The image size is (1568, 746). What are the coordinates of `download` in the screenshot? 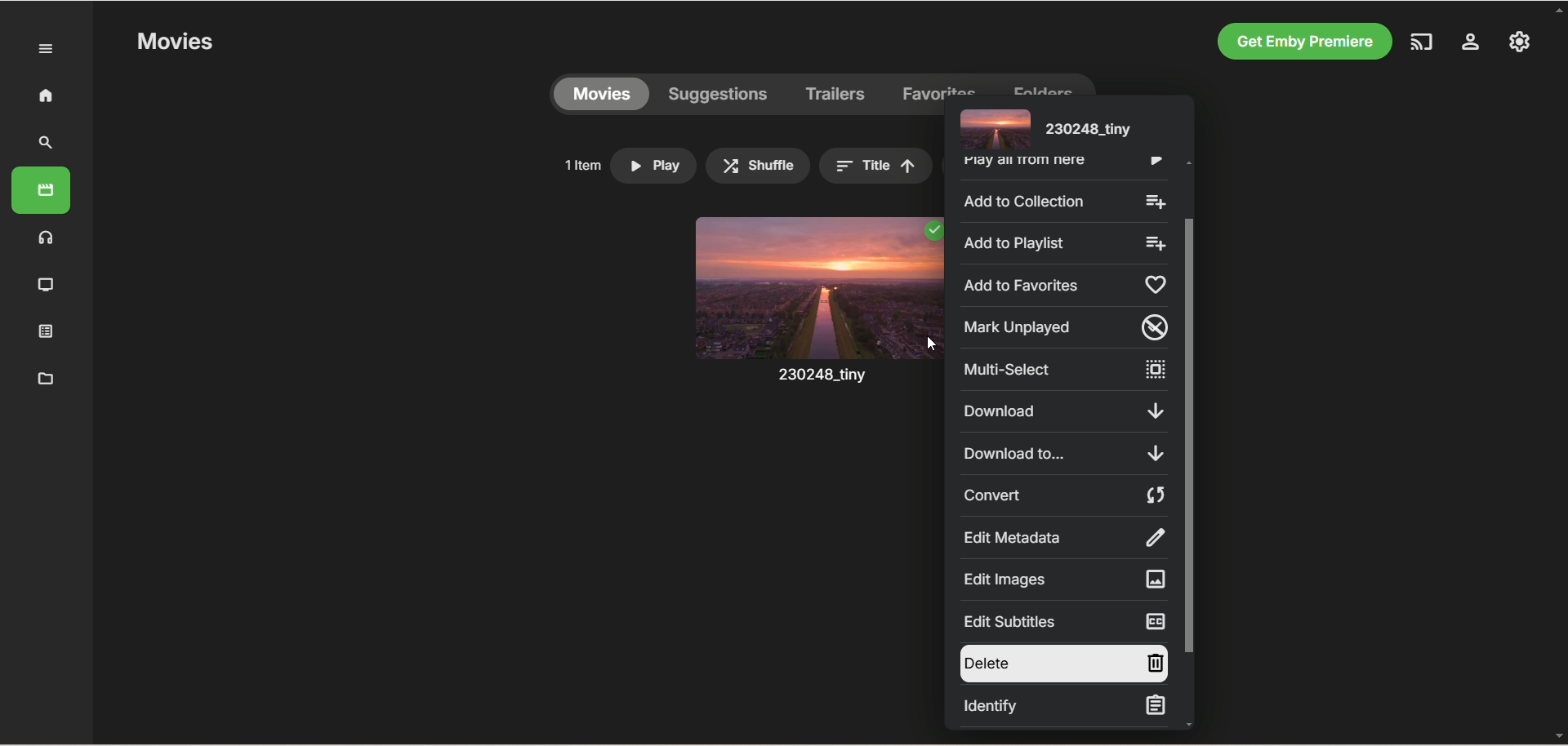 It's located at (1062, 411).